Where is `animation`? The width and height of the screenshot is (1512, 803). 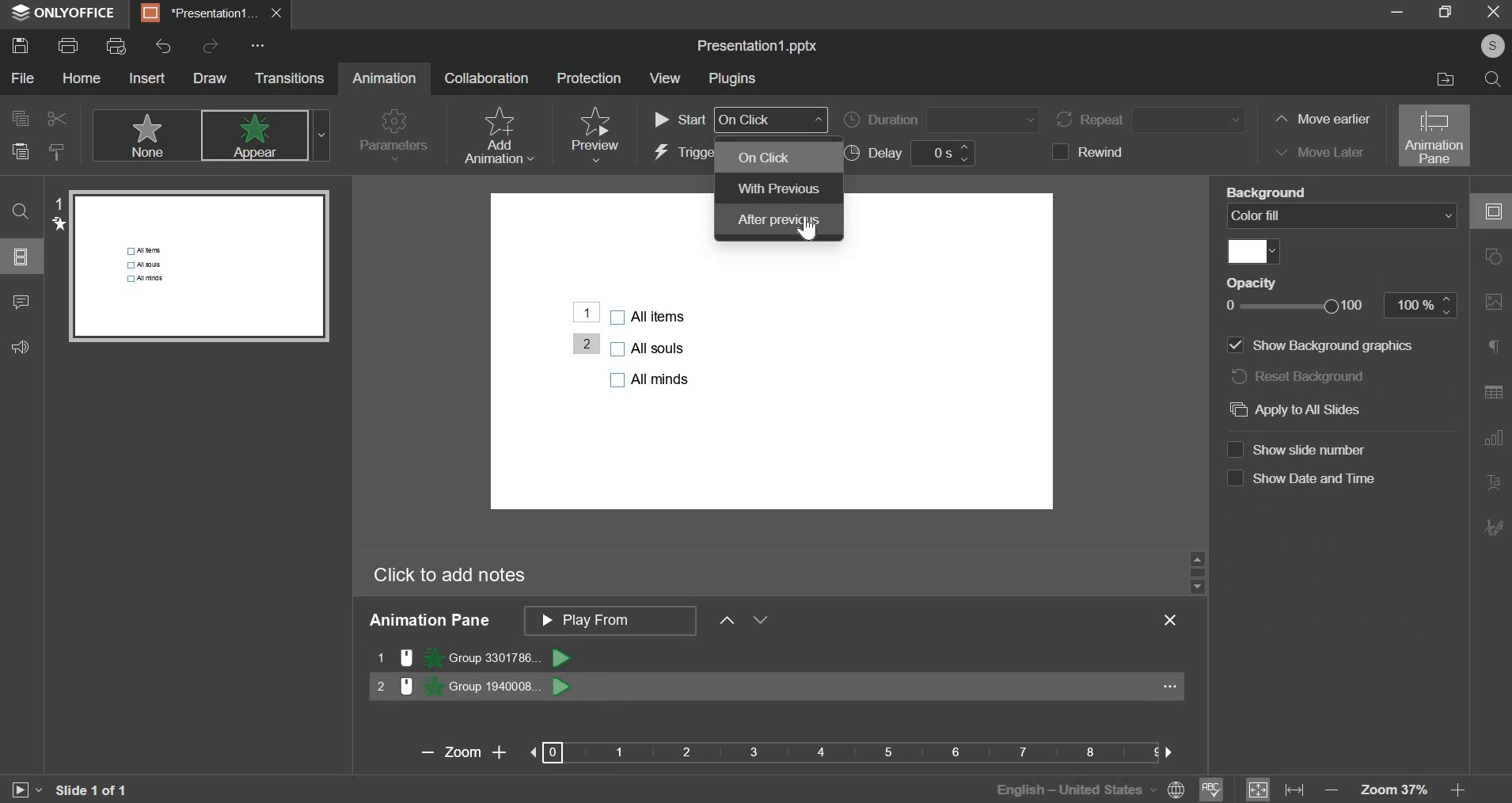
animation is located at coordinates (384, 78).